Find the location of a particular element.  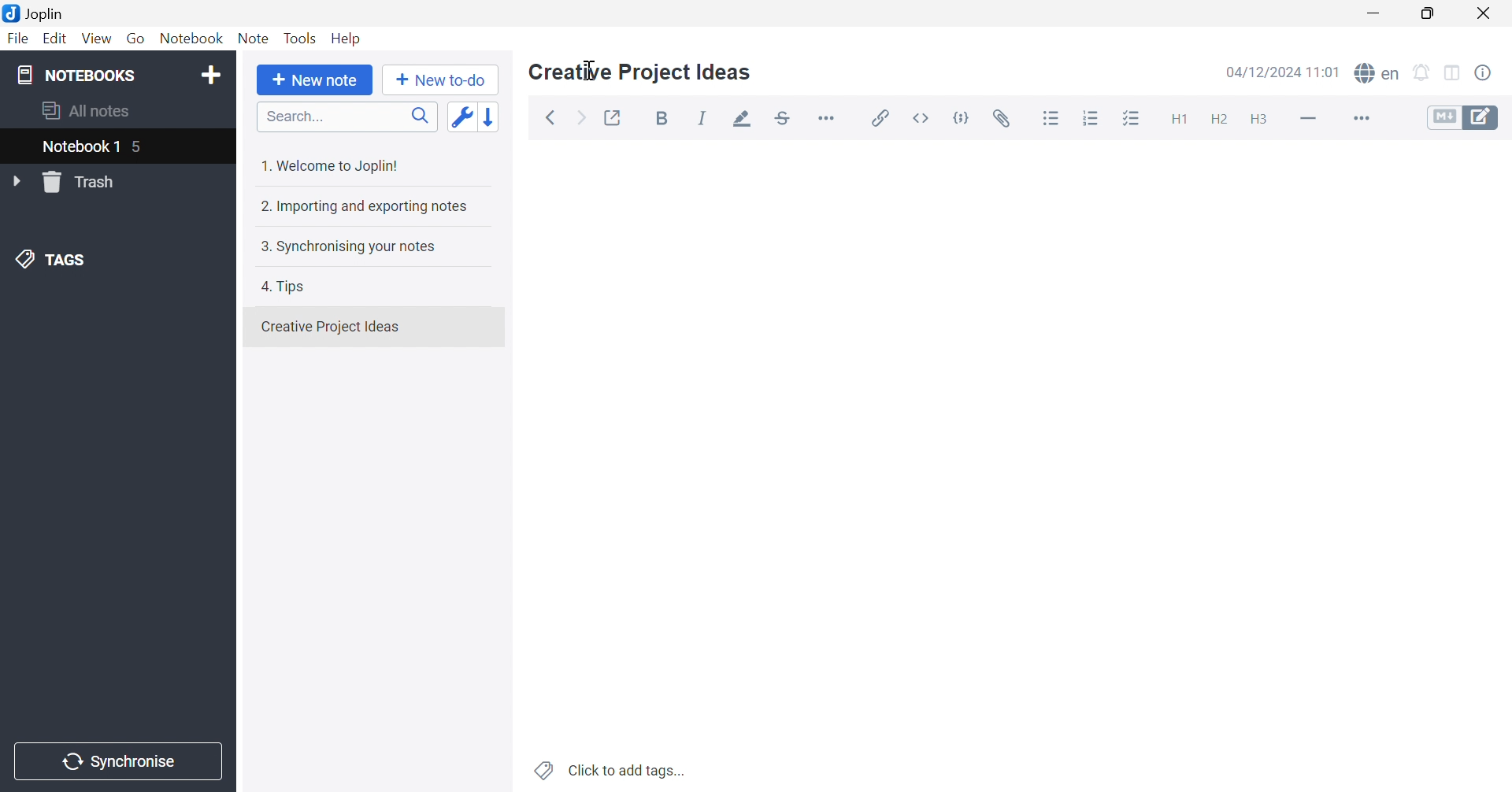

All notes is located at coordinates (83, 110).